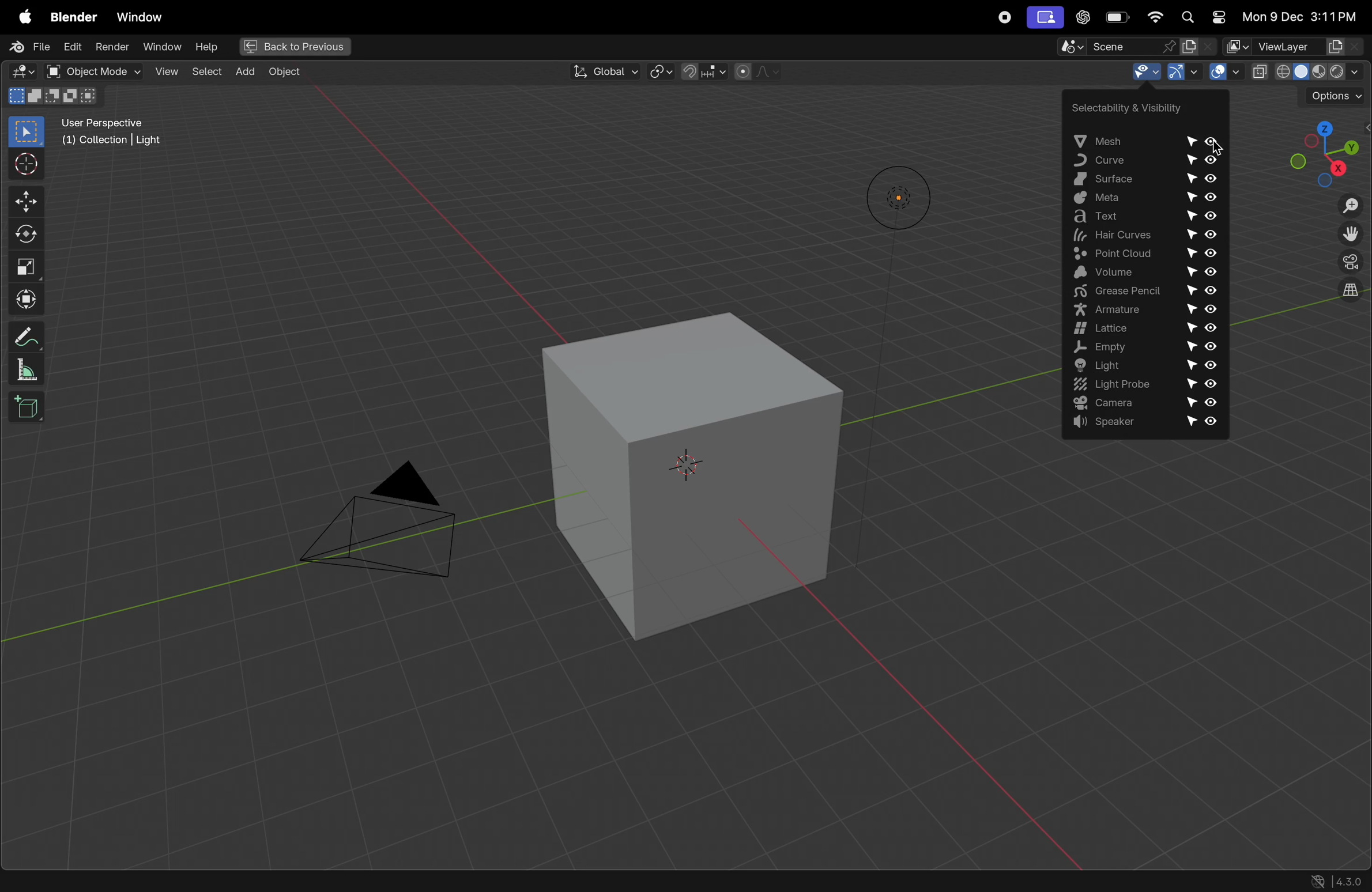 This screenshot has height=892, width=1372. I want to click on volume, so click(1144, 272).